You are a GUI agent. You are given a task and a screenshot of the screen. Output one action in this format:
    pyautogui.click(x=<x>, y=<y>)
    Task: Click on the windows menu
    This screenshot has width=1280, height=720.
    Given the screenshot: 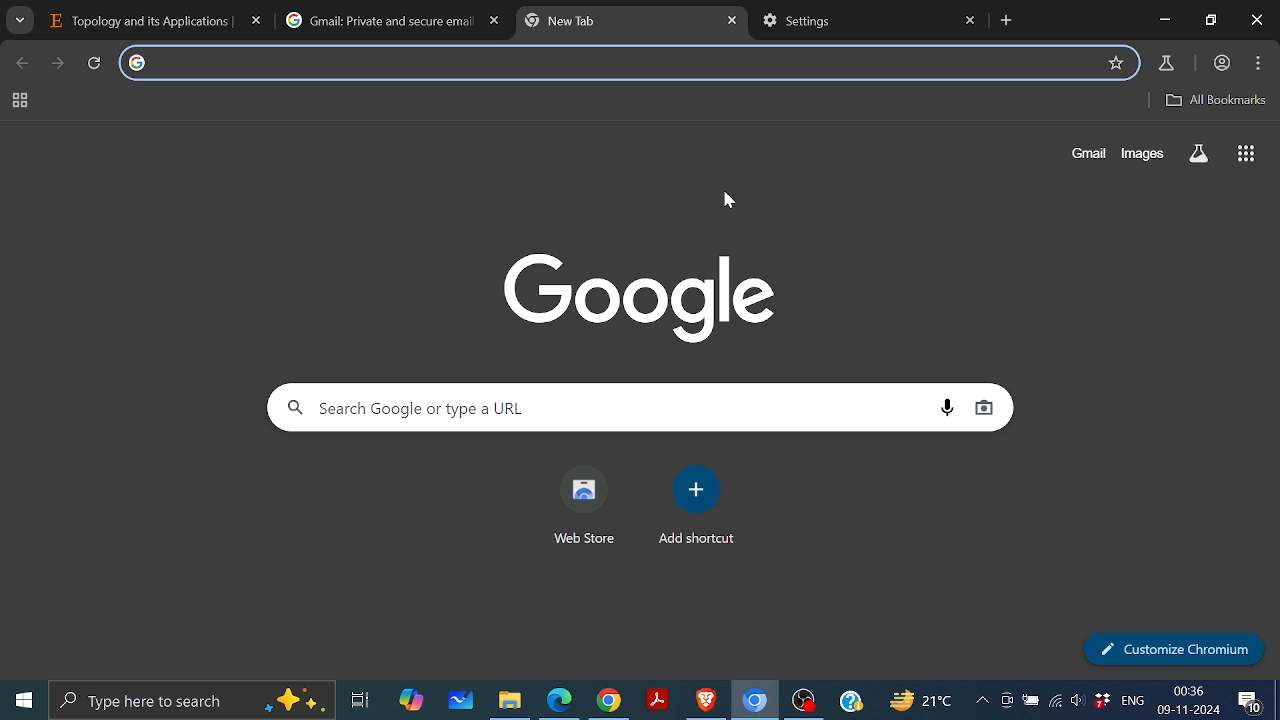 What is the action you would take?
    pyautogui.click(x=18, y=699)
    